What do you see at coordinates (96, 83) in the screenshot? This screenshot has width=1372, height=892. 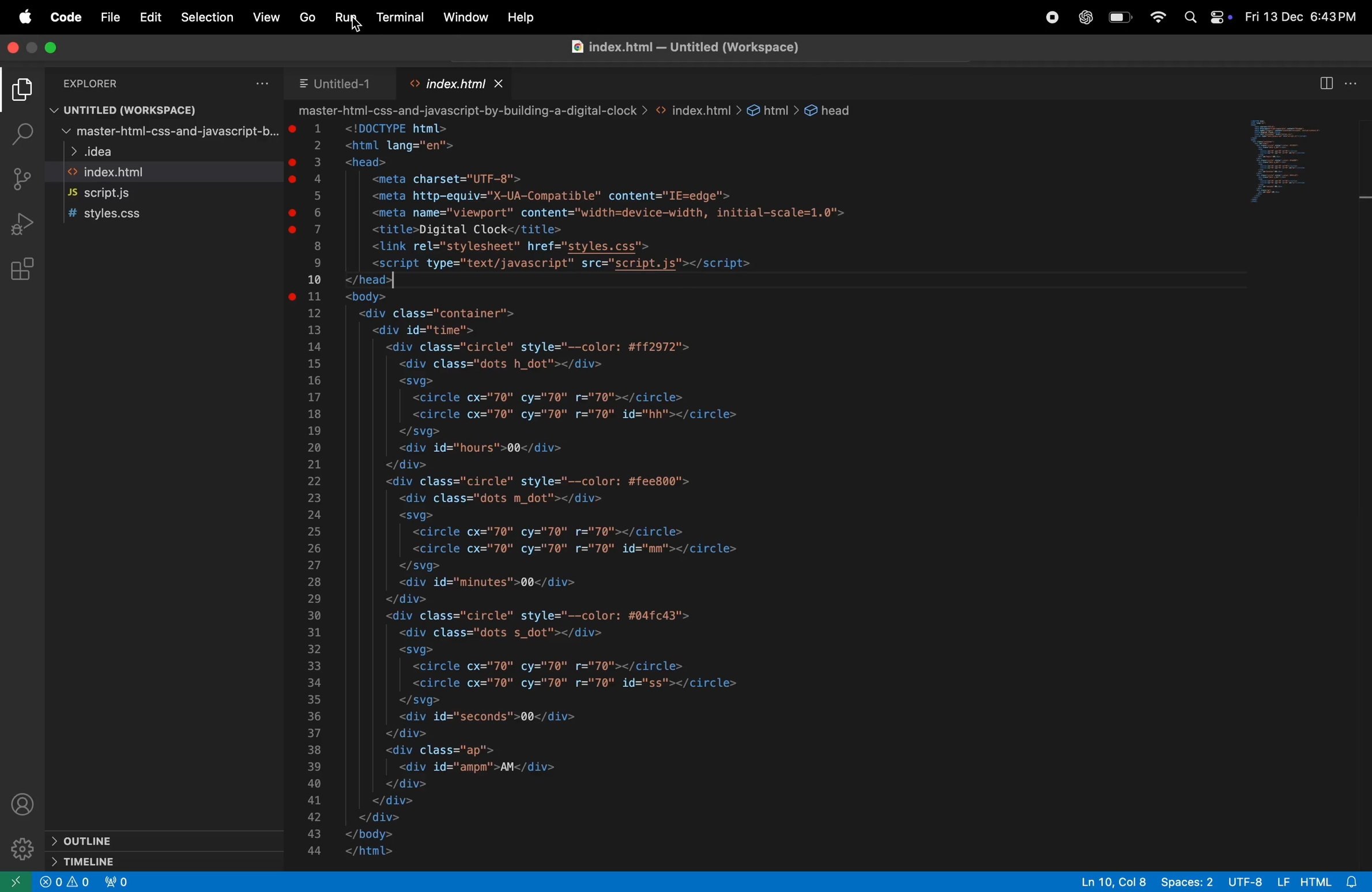 I see `Explorer` at bounding box center [96, 83].